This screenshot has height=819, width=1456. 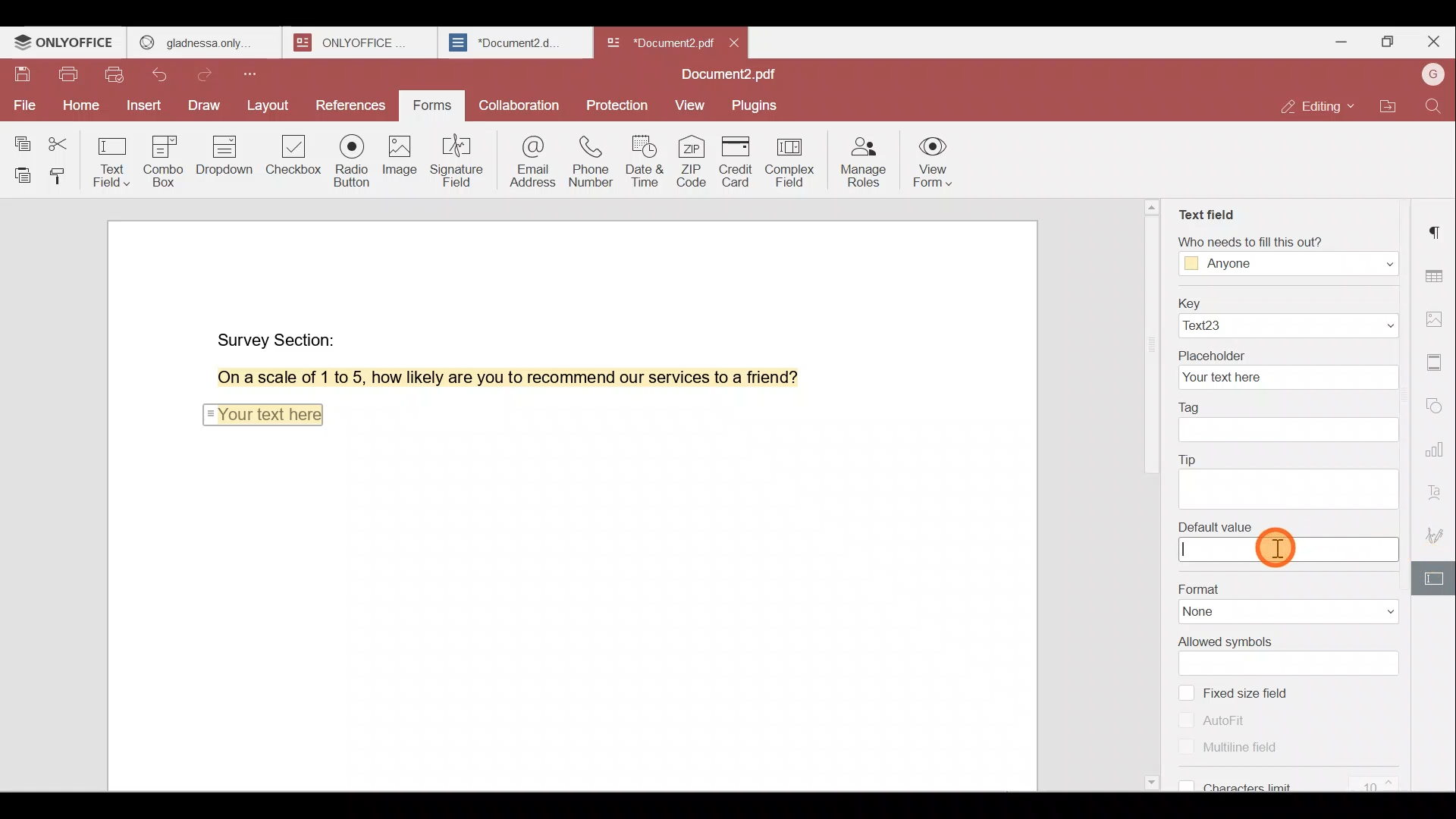 I want to click on Combo box, so click(x=169, y=158).